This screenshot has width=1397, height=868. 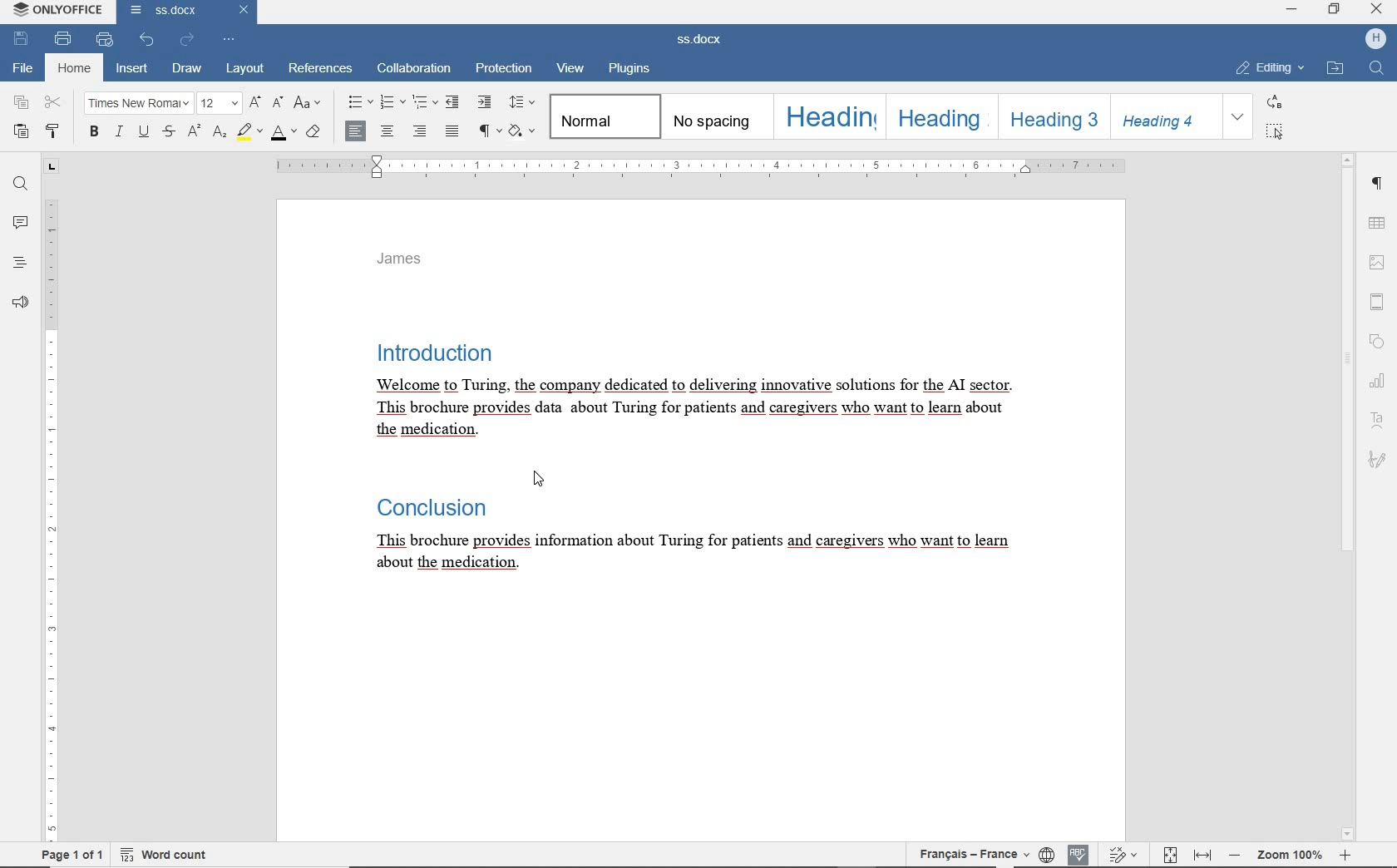 What do you see at coordinates (219, 134) in the screenshot?
I see `SUBSCRIPT` at bounding box center [219, 134].